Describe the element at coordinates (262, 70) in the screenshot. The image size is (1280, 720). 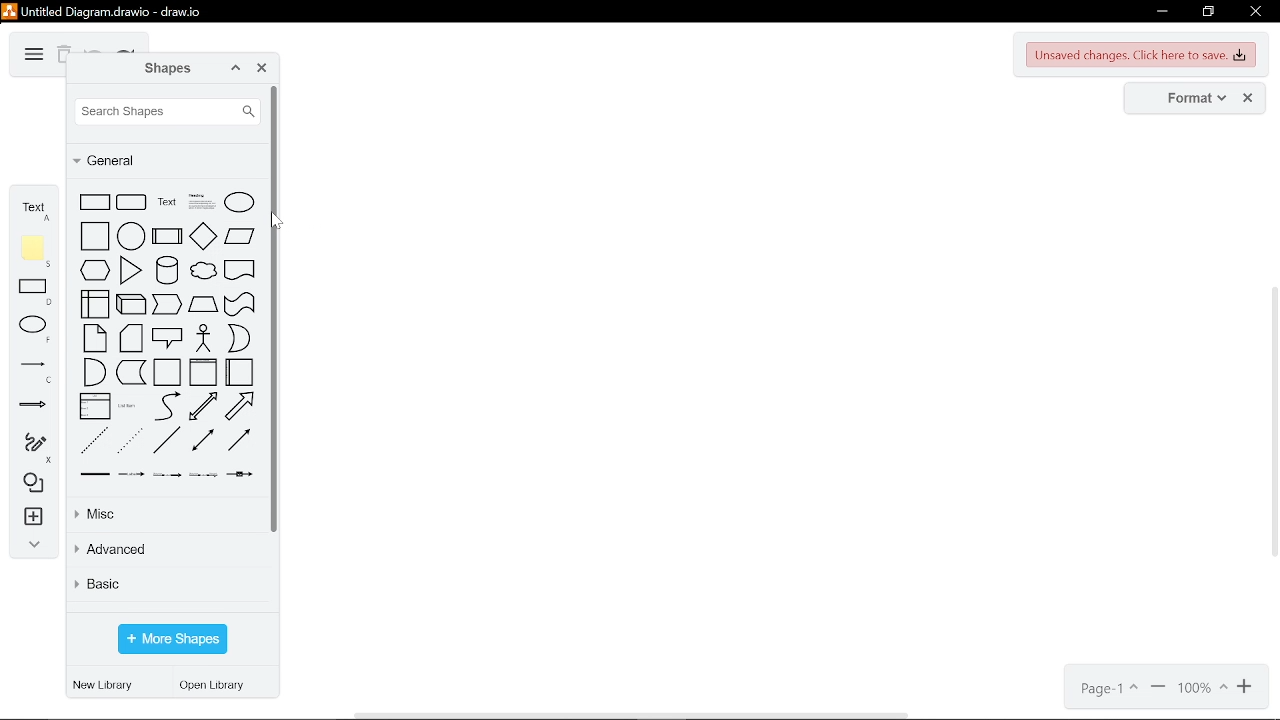
I see `close` at that location.